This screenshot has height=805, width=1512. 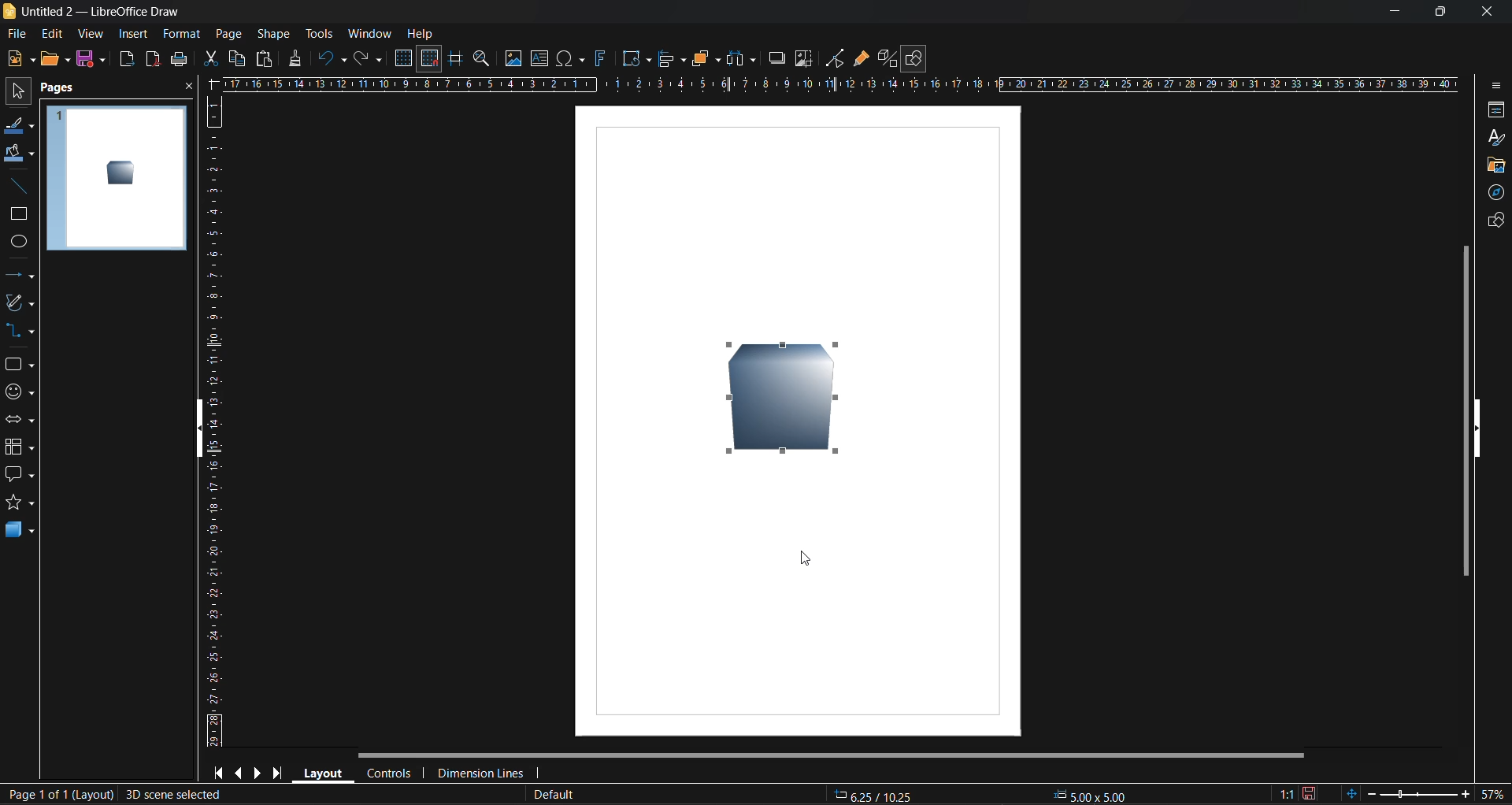 I want to click on gallery, so click(x=1496, y=165).